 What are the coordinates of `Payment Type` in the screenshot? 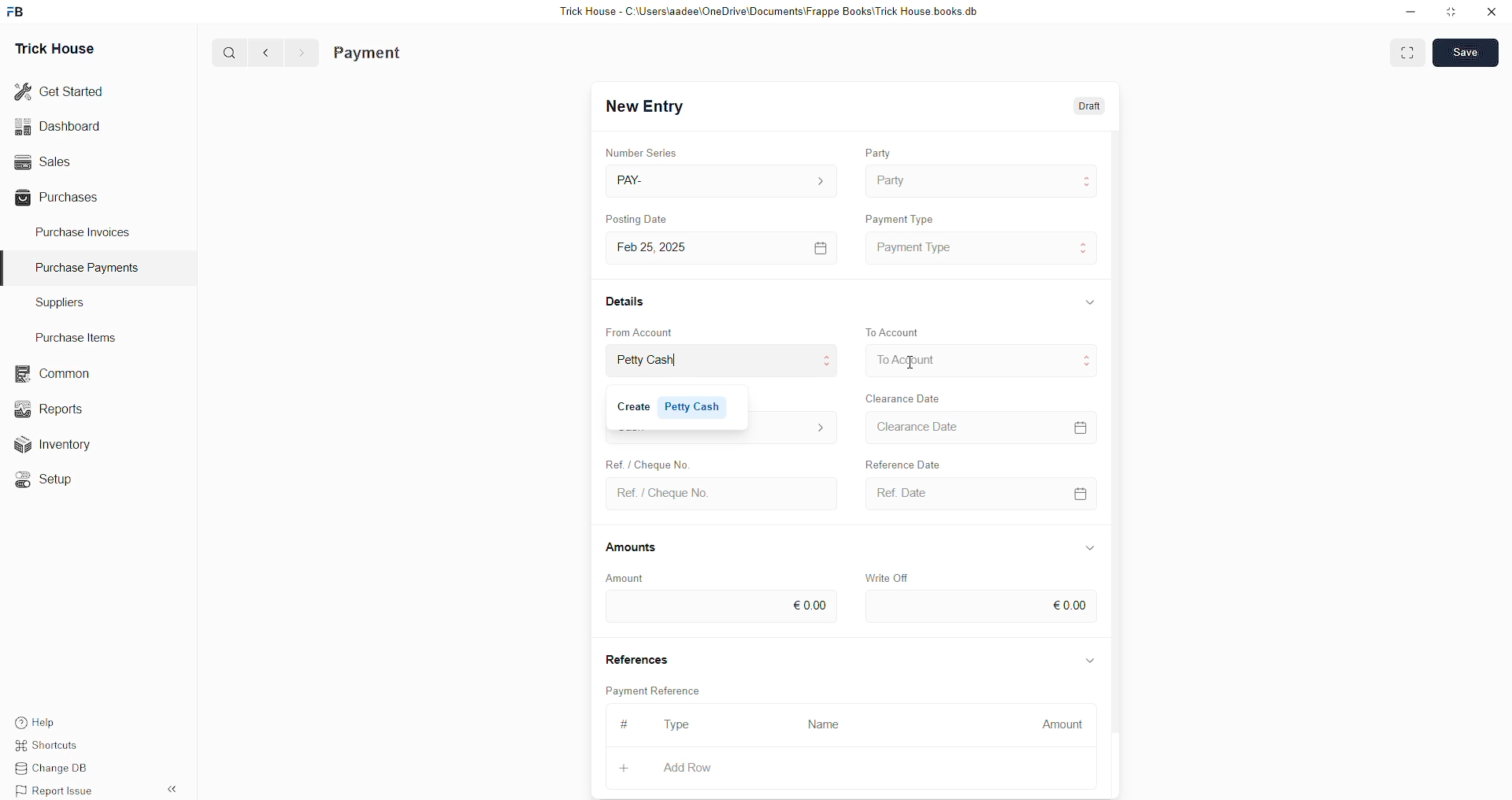 It's located at (905, 216).